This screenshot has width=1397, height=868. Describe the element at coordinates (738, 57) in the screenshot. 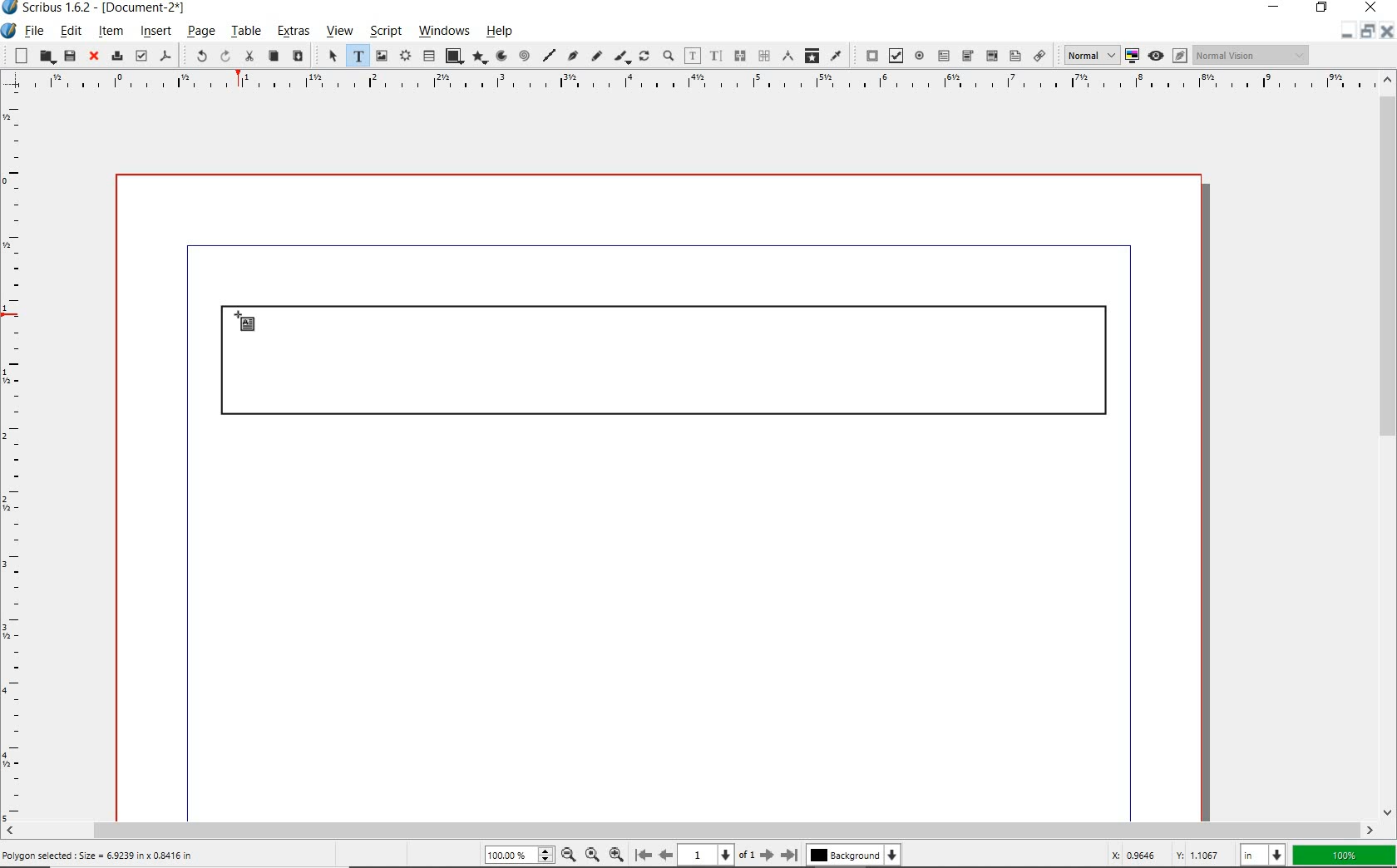

I see `unlink text frames` at that location.